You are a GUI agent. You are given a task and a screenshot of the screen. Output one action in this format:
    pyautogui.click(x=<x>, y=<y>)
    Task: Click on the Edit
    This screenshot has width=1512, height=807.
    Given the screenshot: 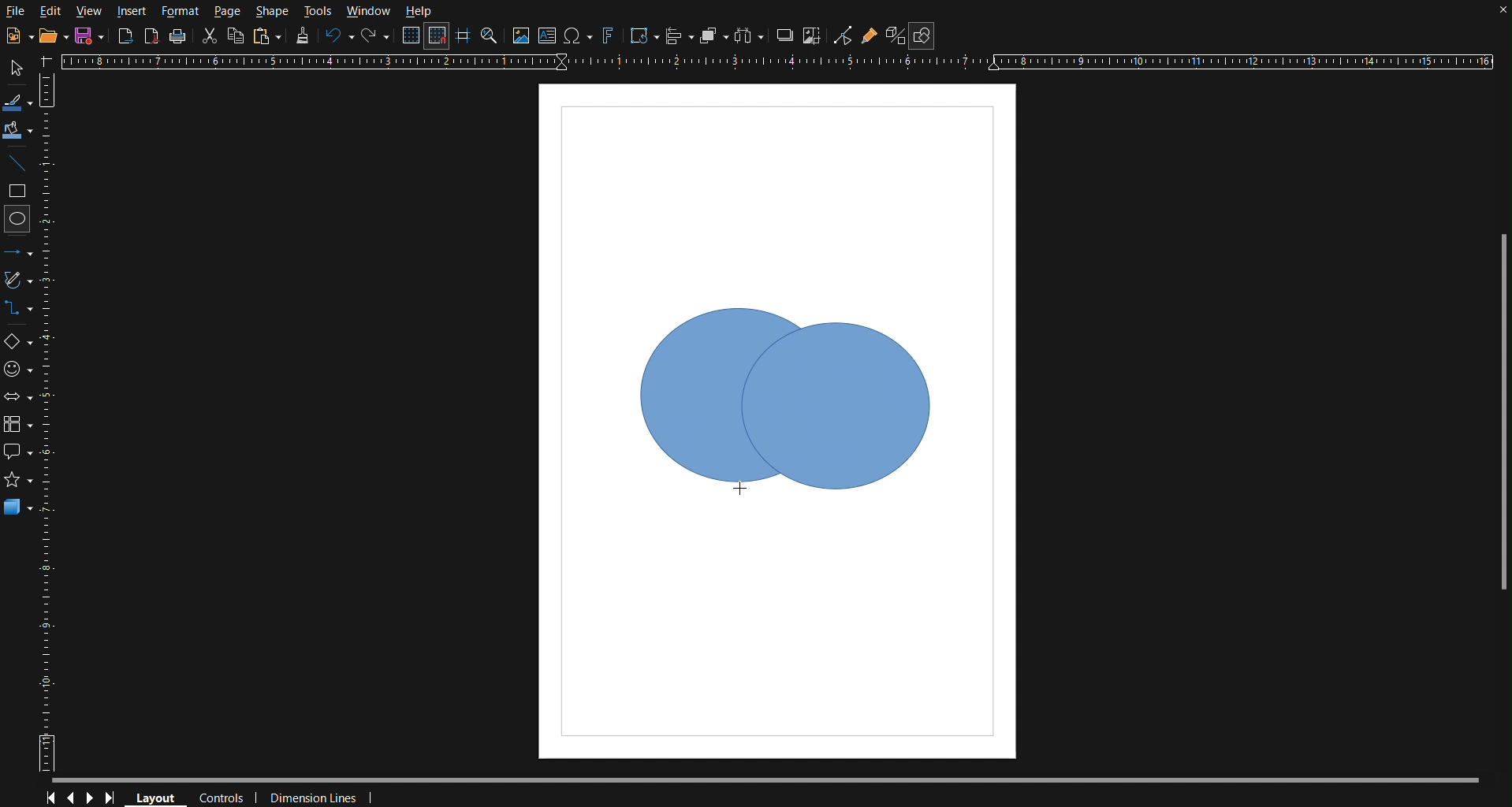 What is the action you would take?
    pyautogui.click(x=51, y=10)
    